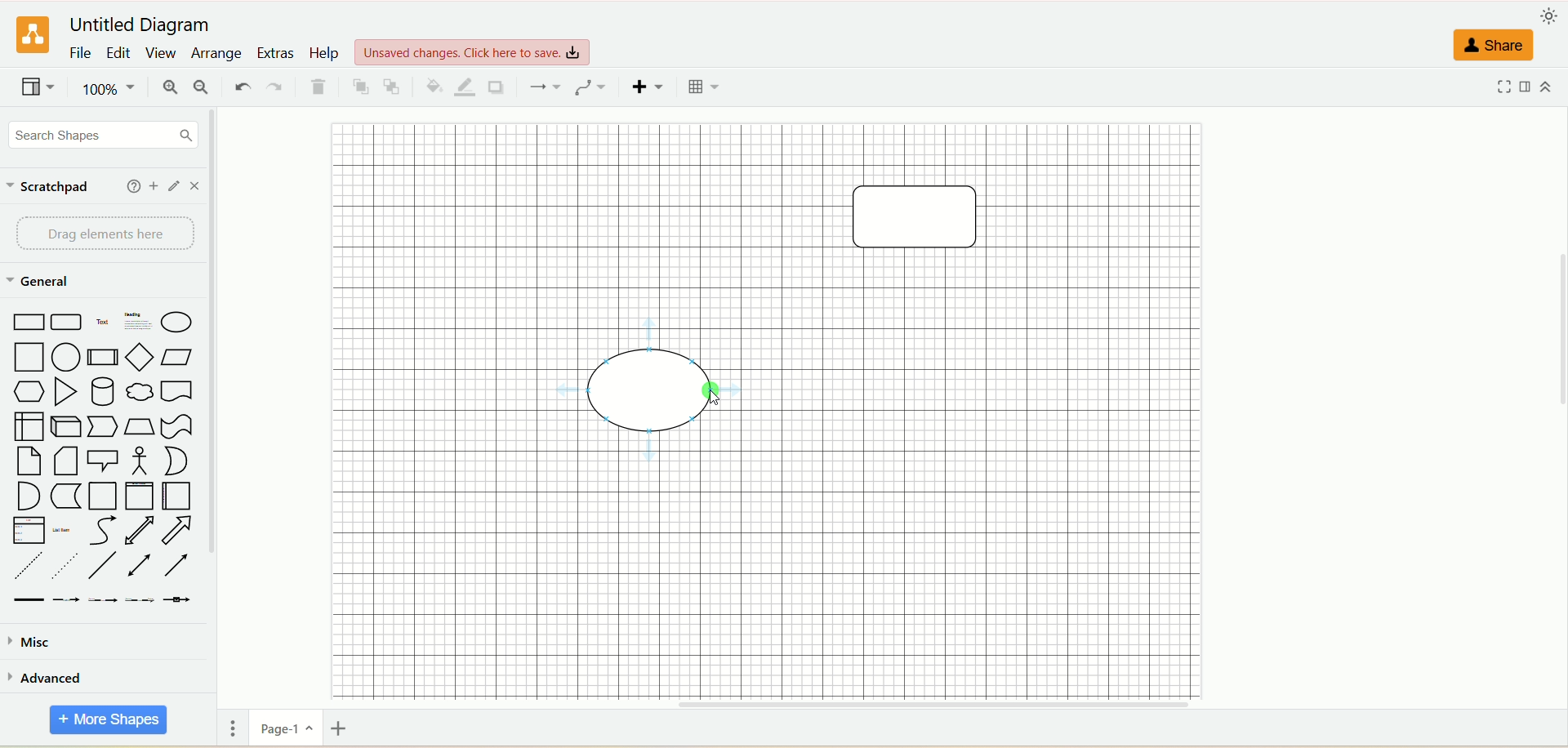  What do you see at coordinates (30, 36) in the screenshot?
I see `logo` at bounding box center [30, 36].